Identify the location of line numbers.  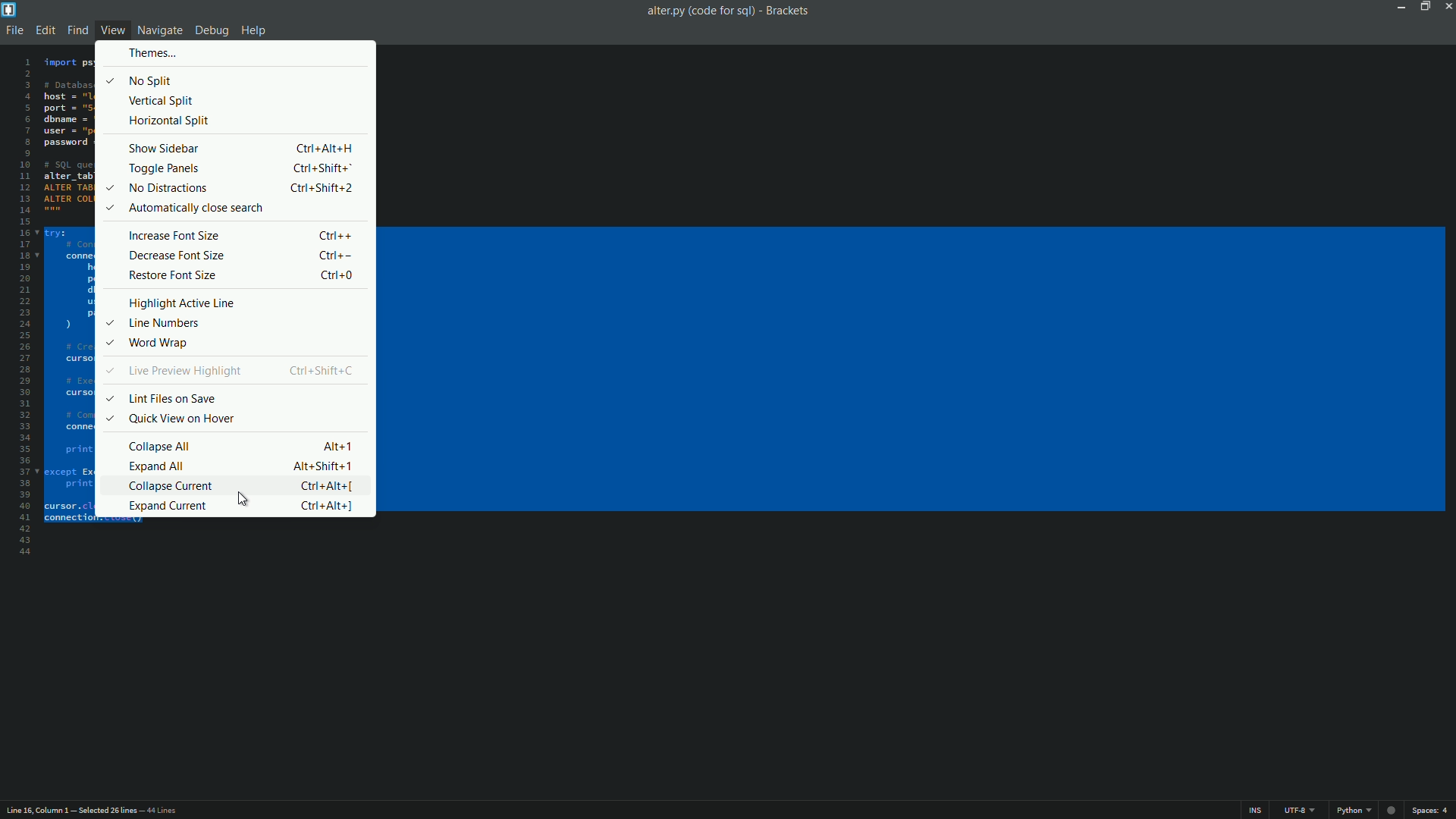
(22, 306).